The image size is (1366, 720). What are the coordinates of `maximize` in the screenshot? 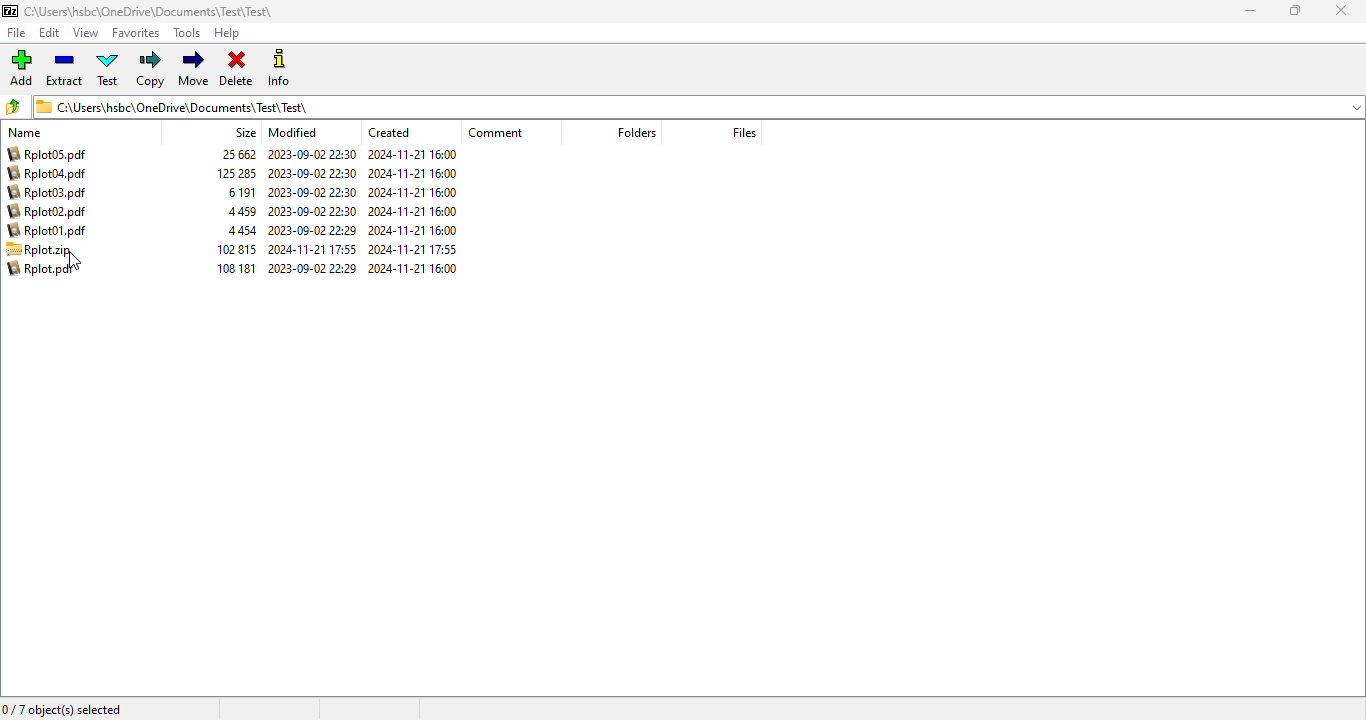 It's located at (1296, 10).